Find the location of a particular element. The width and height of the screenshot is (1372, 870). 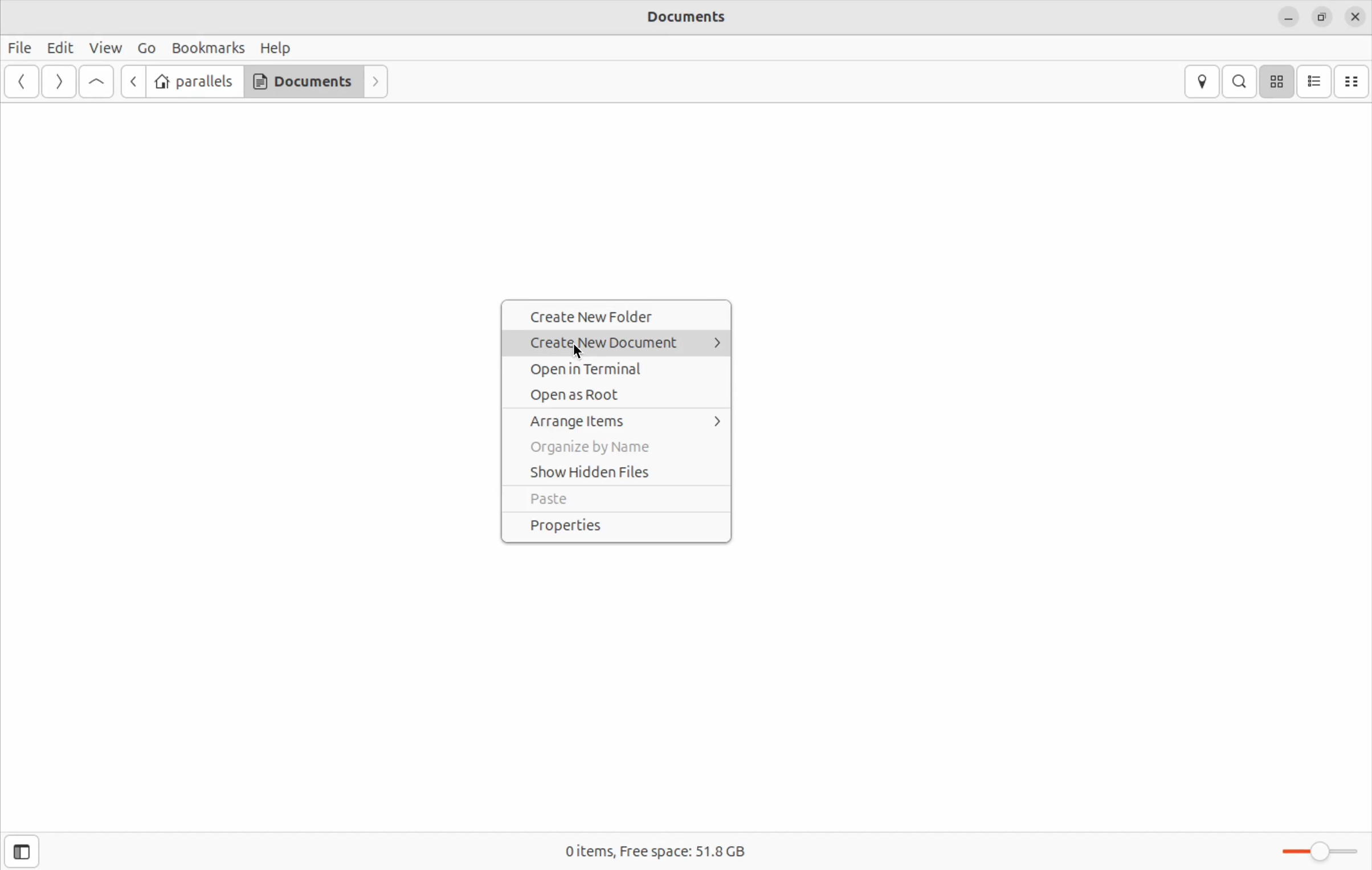

parallels is located at coordinates (194, 82).